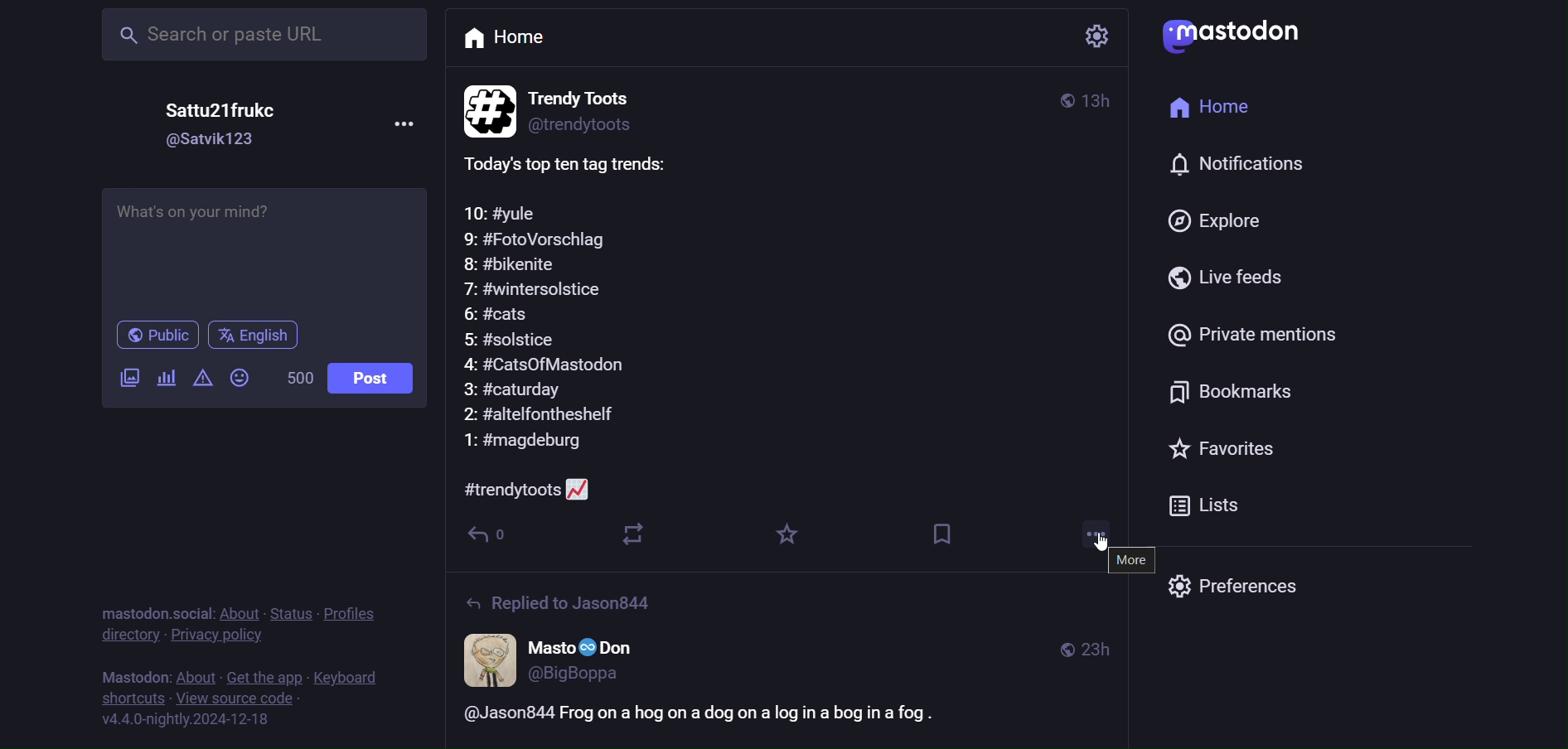 The width and height of the screenshot is (1568, 749). Describe the element at coordinates (1212, 109) in the screenshot. I see `home` at that location.